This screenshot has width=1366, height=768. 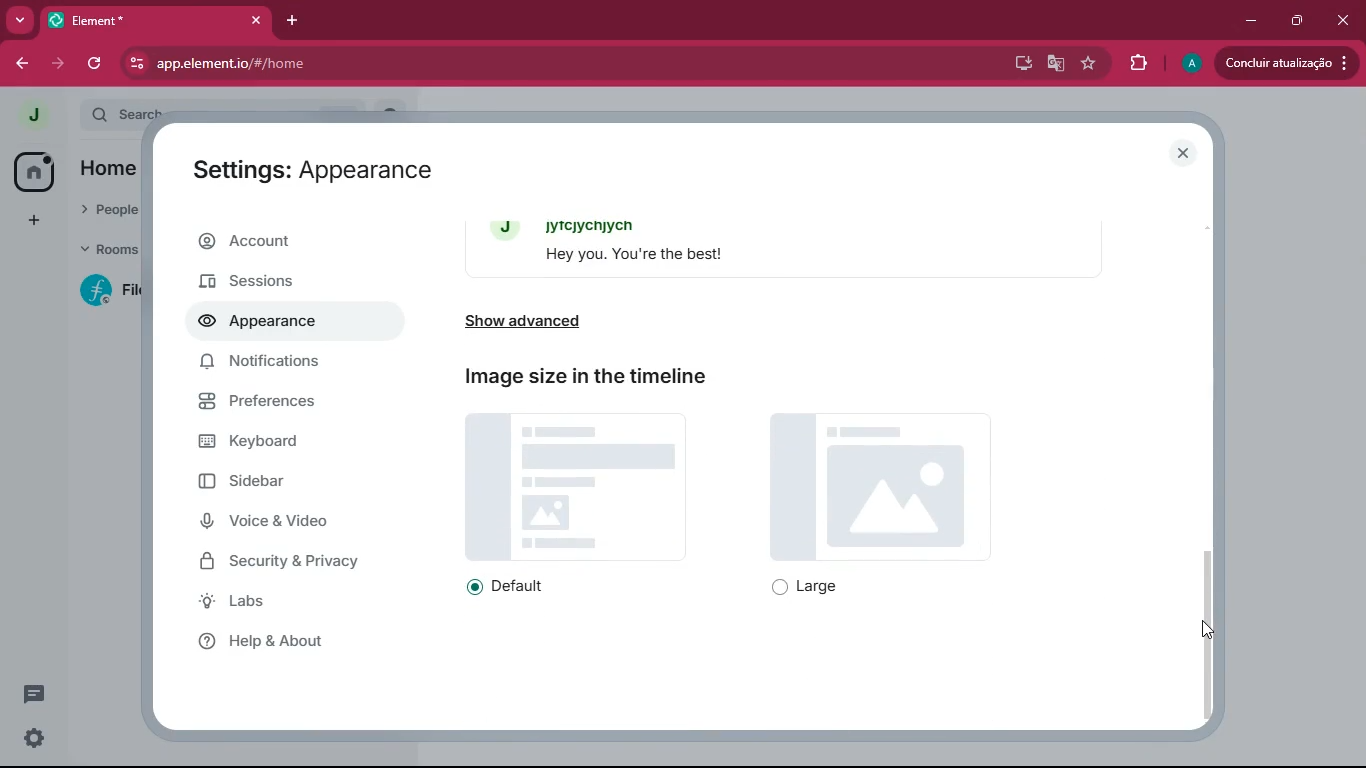 I want to click on large, so click(x=814, y=588).